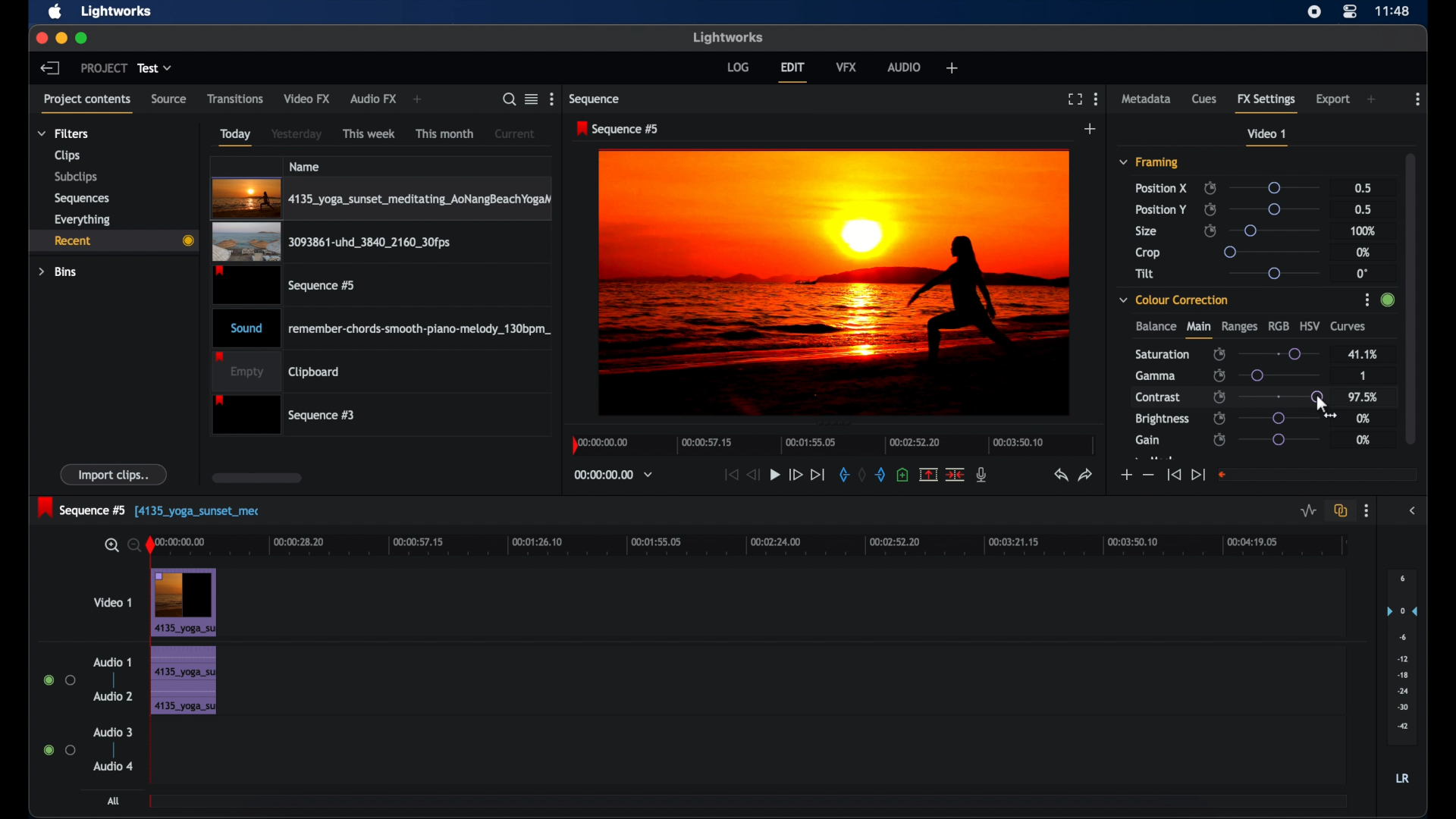 Image resolution: width=1456 pixels, height=819 pixels. I want to click on slider, so click(1280, 397).